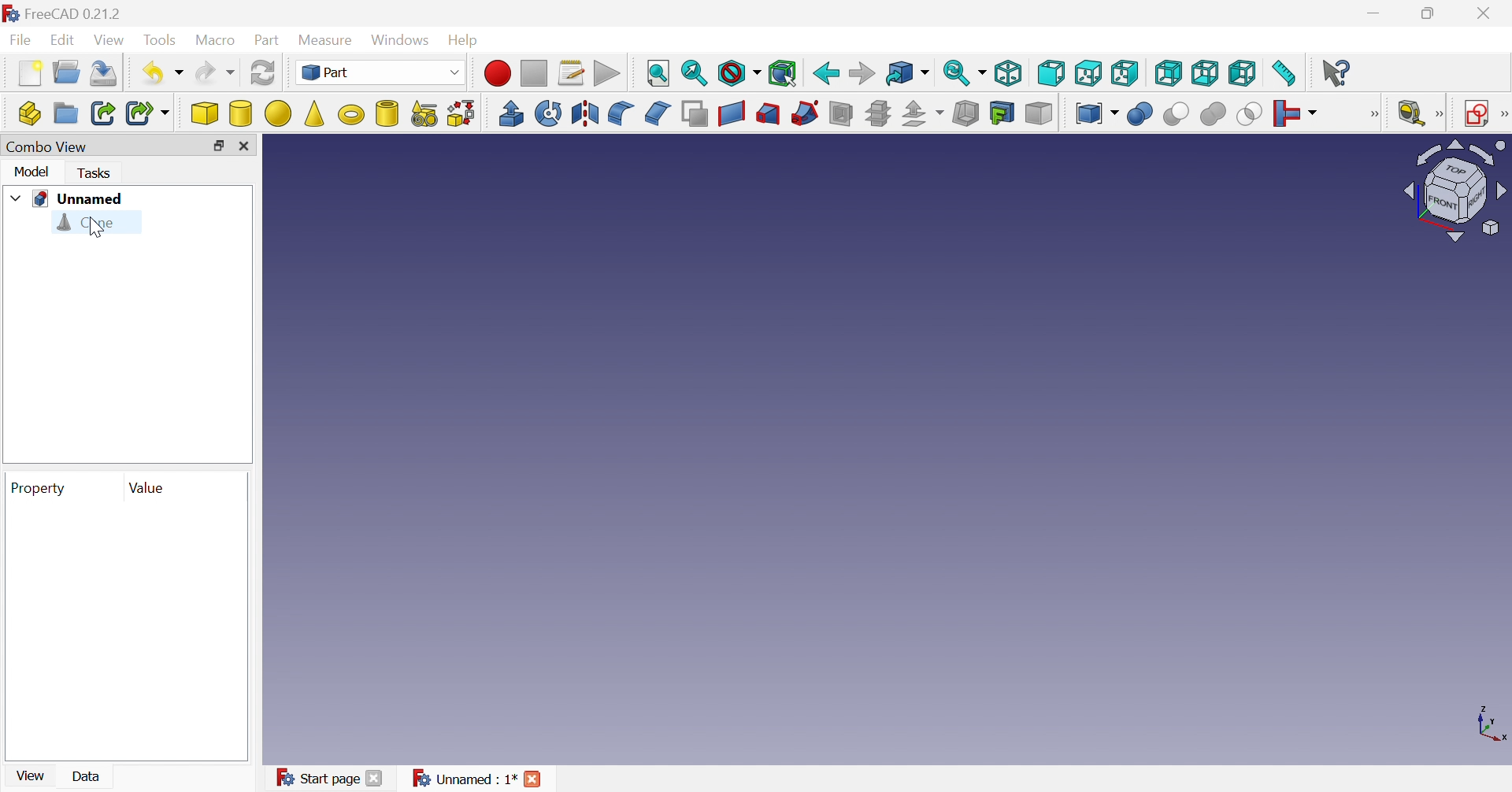  Describe the element at coordinates (1051, 72) in the screenshot. I see `Front` at that location.